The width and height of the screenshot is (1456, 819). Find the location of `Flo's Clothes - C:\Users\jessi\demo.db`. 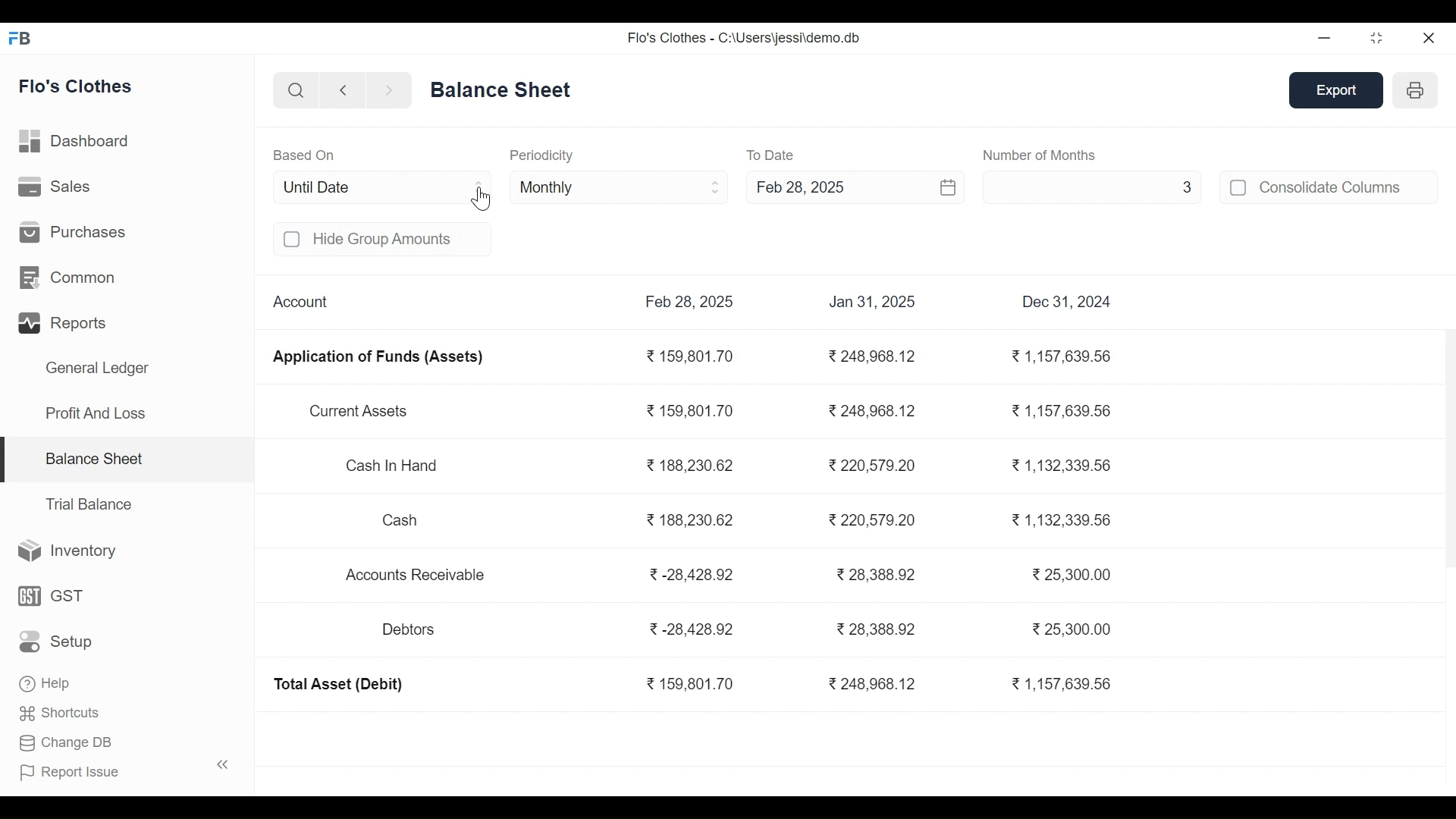

Flo's Clothes - C:\Users\jessi\demo.db is located at coordinates (743, 38).